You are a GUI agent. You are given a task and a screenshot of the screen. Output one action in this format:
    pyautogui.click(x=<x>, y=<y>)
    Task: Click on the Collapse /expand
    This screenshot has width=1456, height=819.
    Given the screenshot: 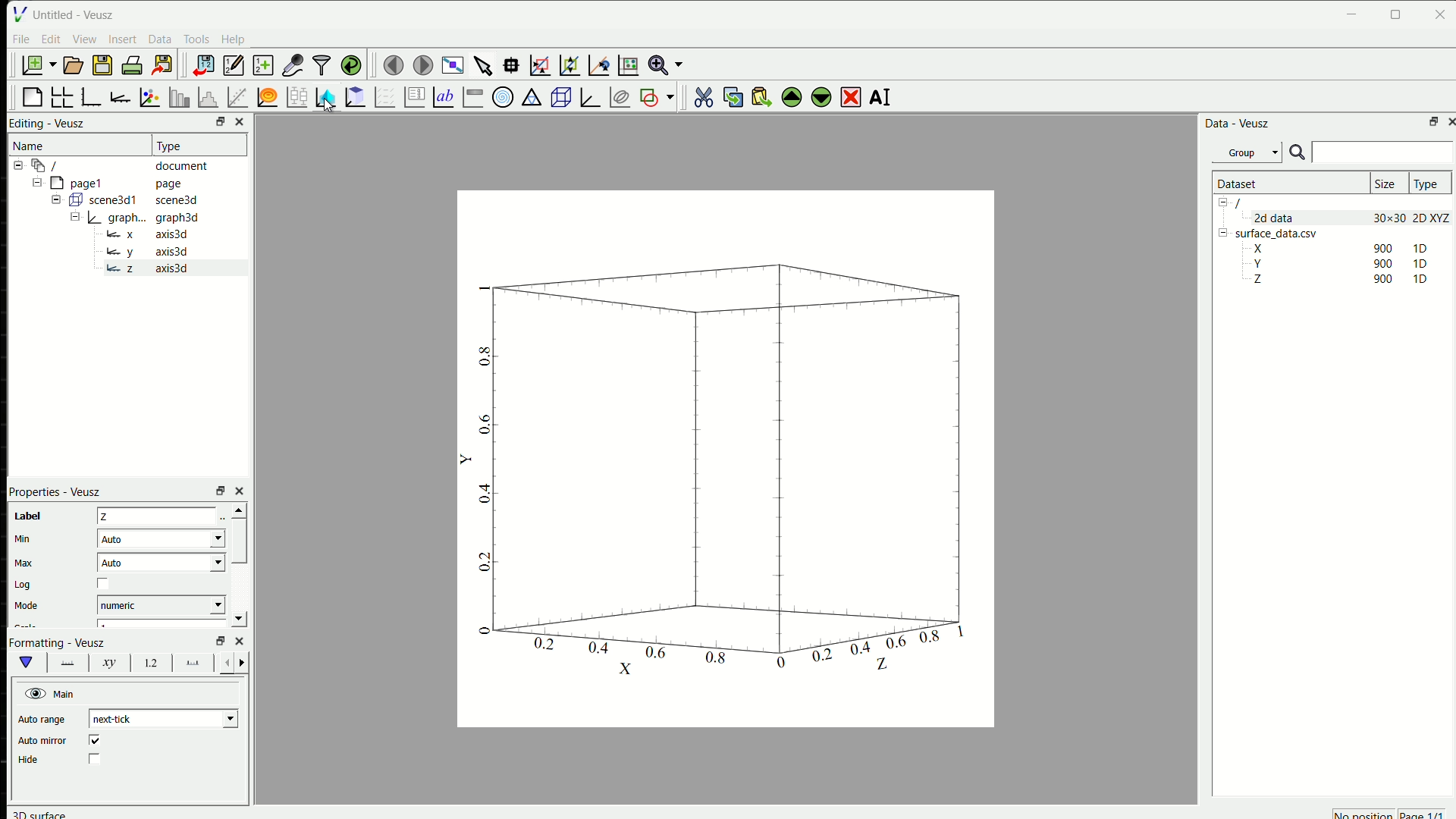 What is the action you would take?
    pyautogui.click(x=36, y=182)
    